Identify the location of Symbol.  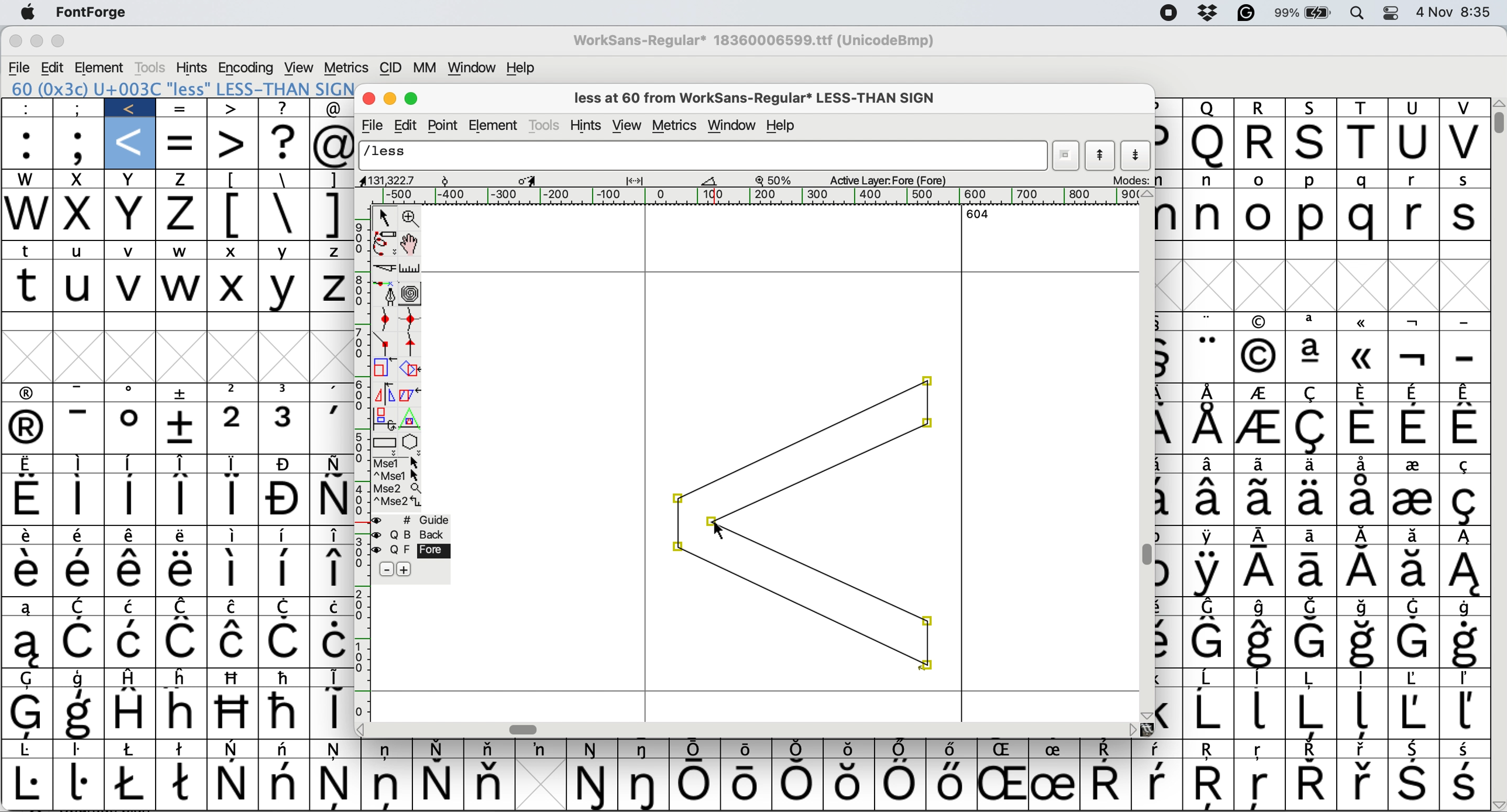
(29, 609).